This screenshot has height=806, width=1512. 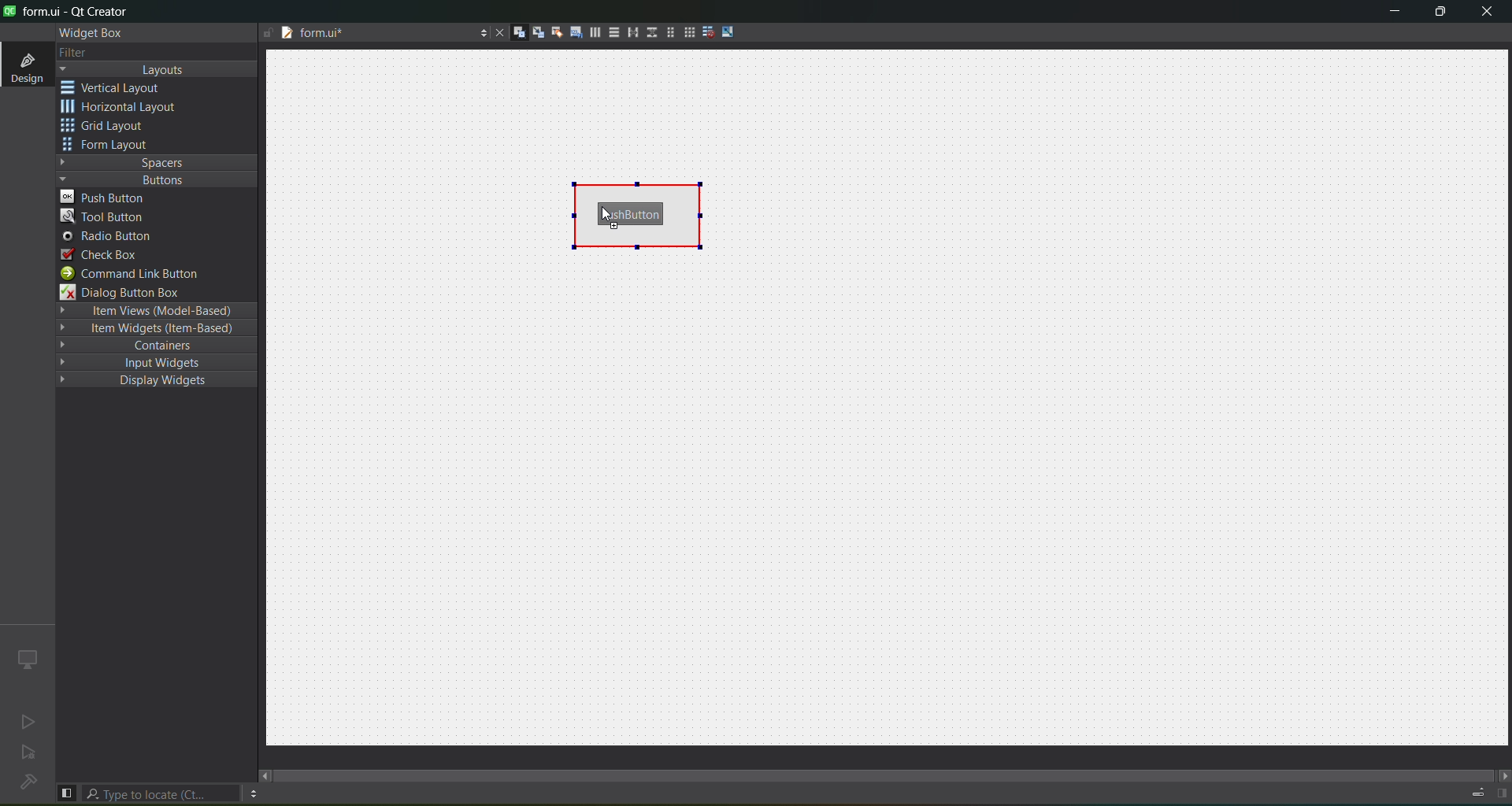 I want to click on edit signals, so click(x=538, y=35).